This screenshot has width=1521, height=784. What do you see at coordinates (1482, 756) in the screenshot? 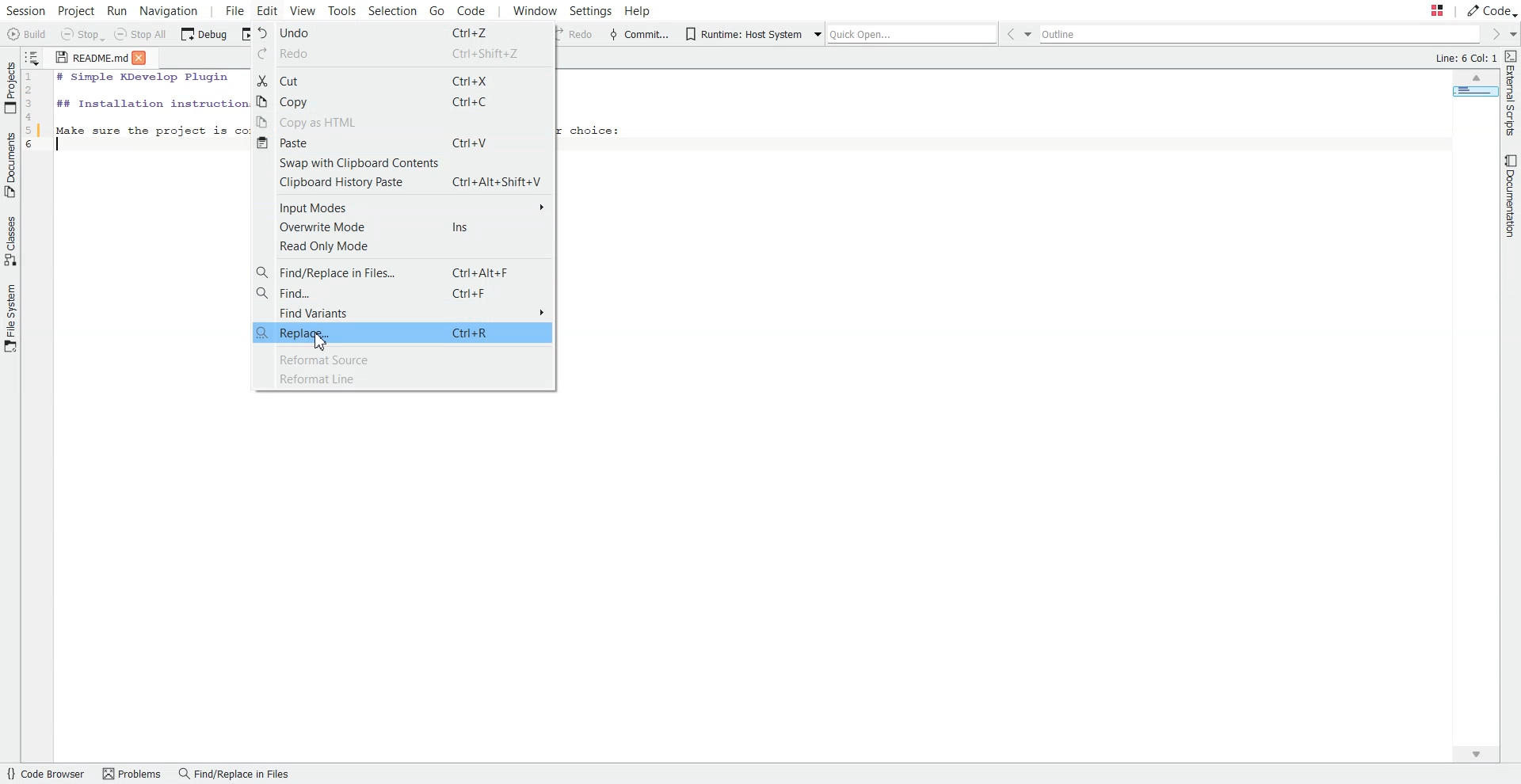
I see `Scroll Down Arrow` at bounding box center [1482, 756].